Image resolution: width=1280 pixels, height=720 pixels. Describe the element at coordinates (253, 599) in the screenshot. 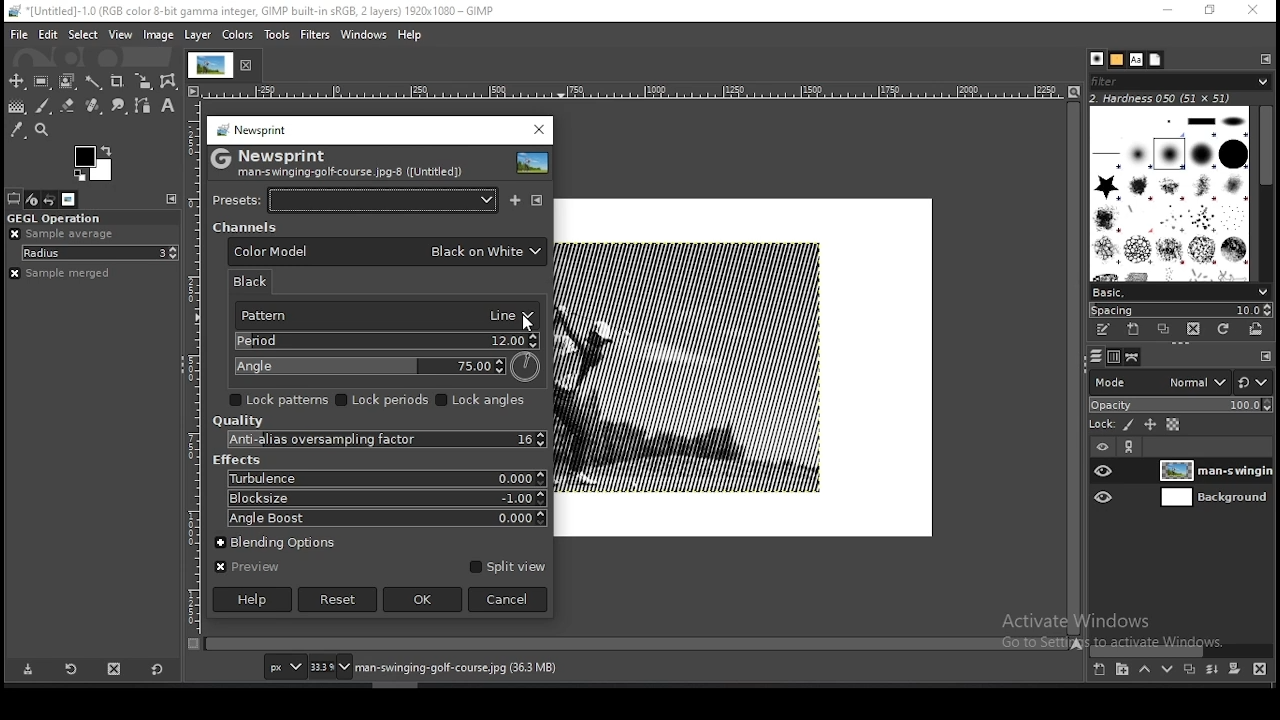

I see `help` at that location.